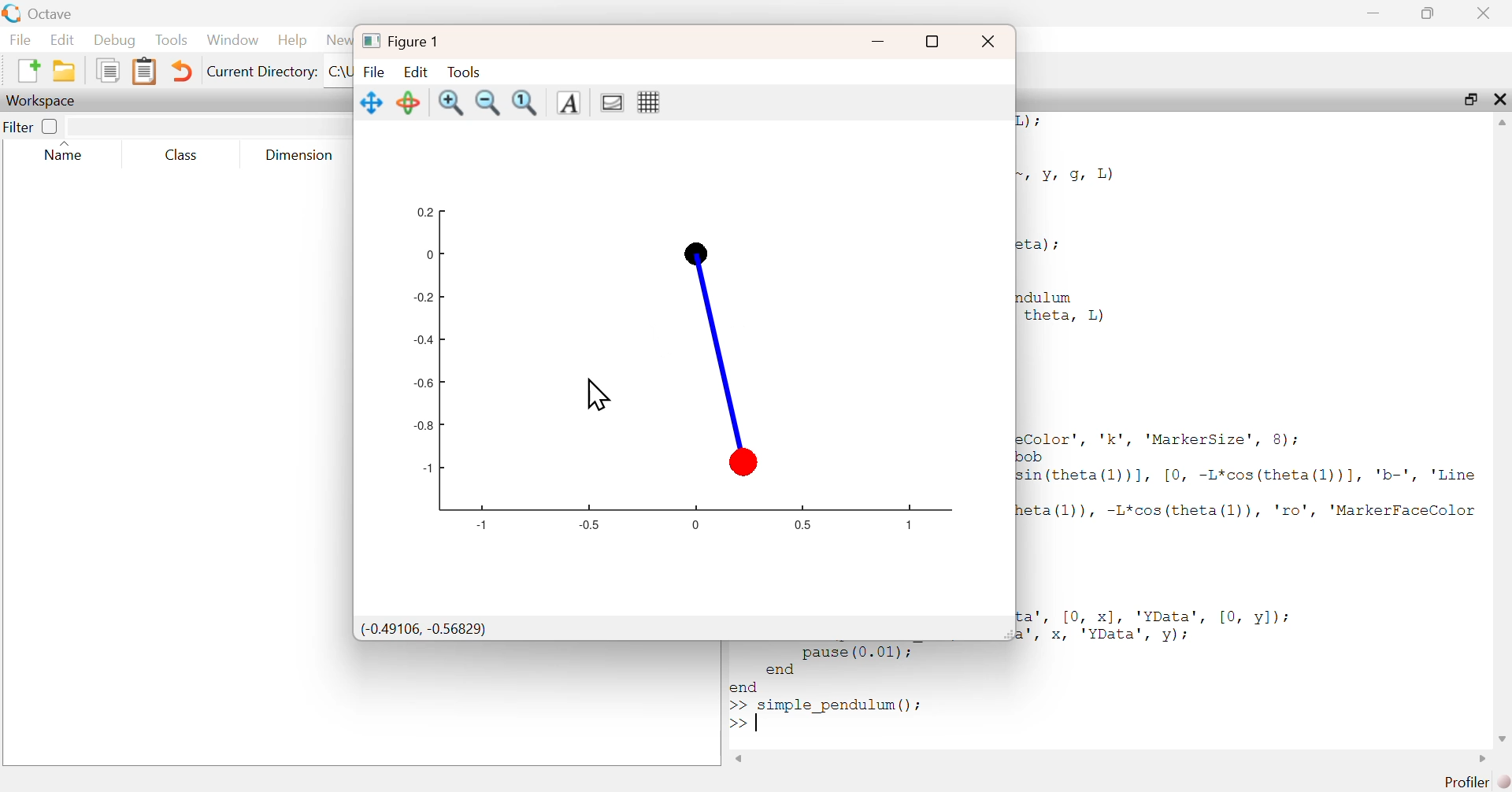  What do you see at coordinates (846, 677) in the screenshot?
I see `end
>> simple pendulum() ;` at bounding box center [846, 677].